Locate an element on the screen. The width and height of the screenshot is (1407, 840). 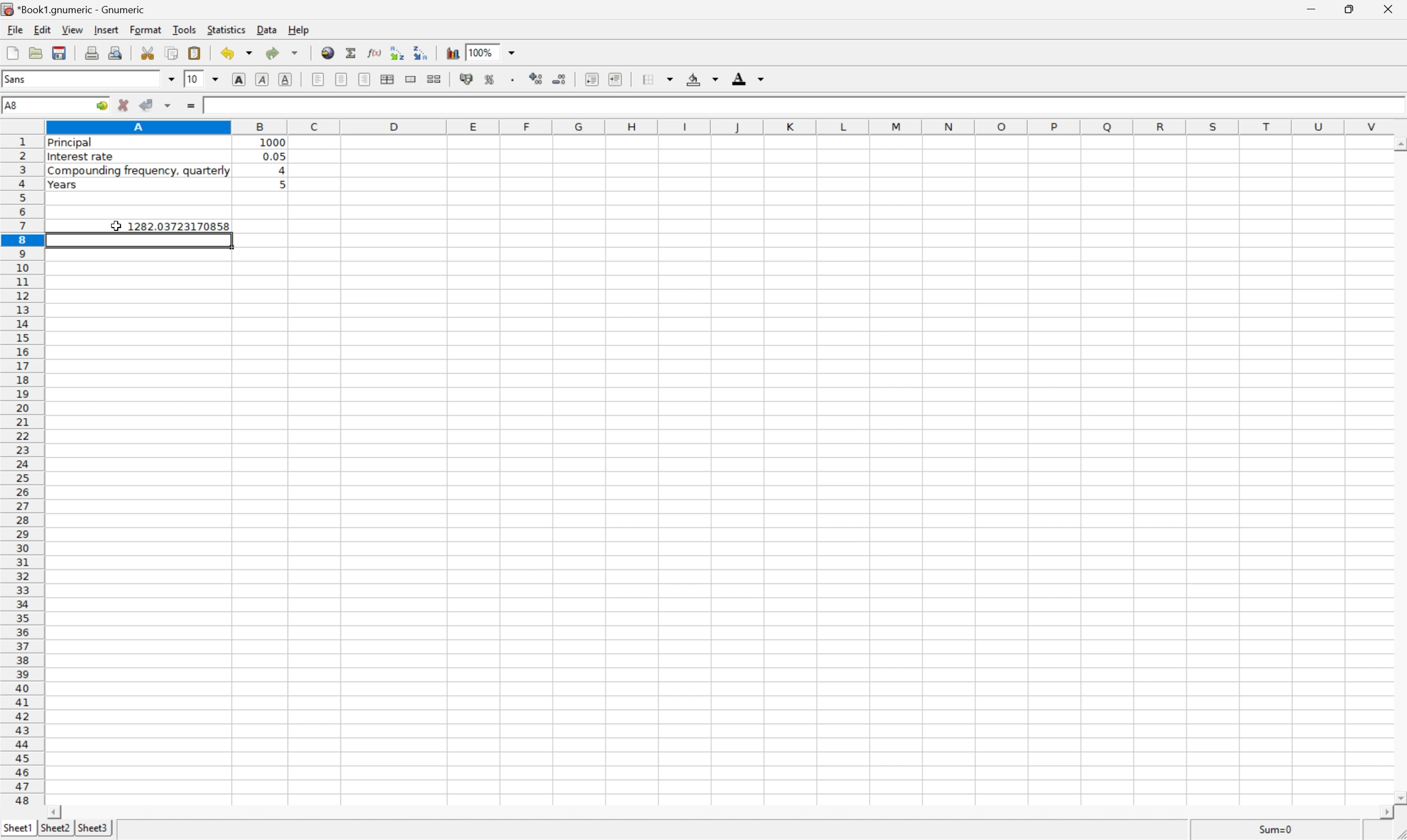
file is located at coordinates (13, 29).